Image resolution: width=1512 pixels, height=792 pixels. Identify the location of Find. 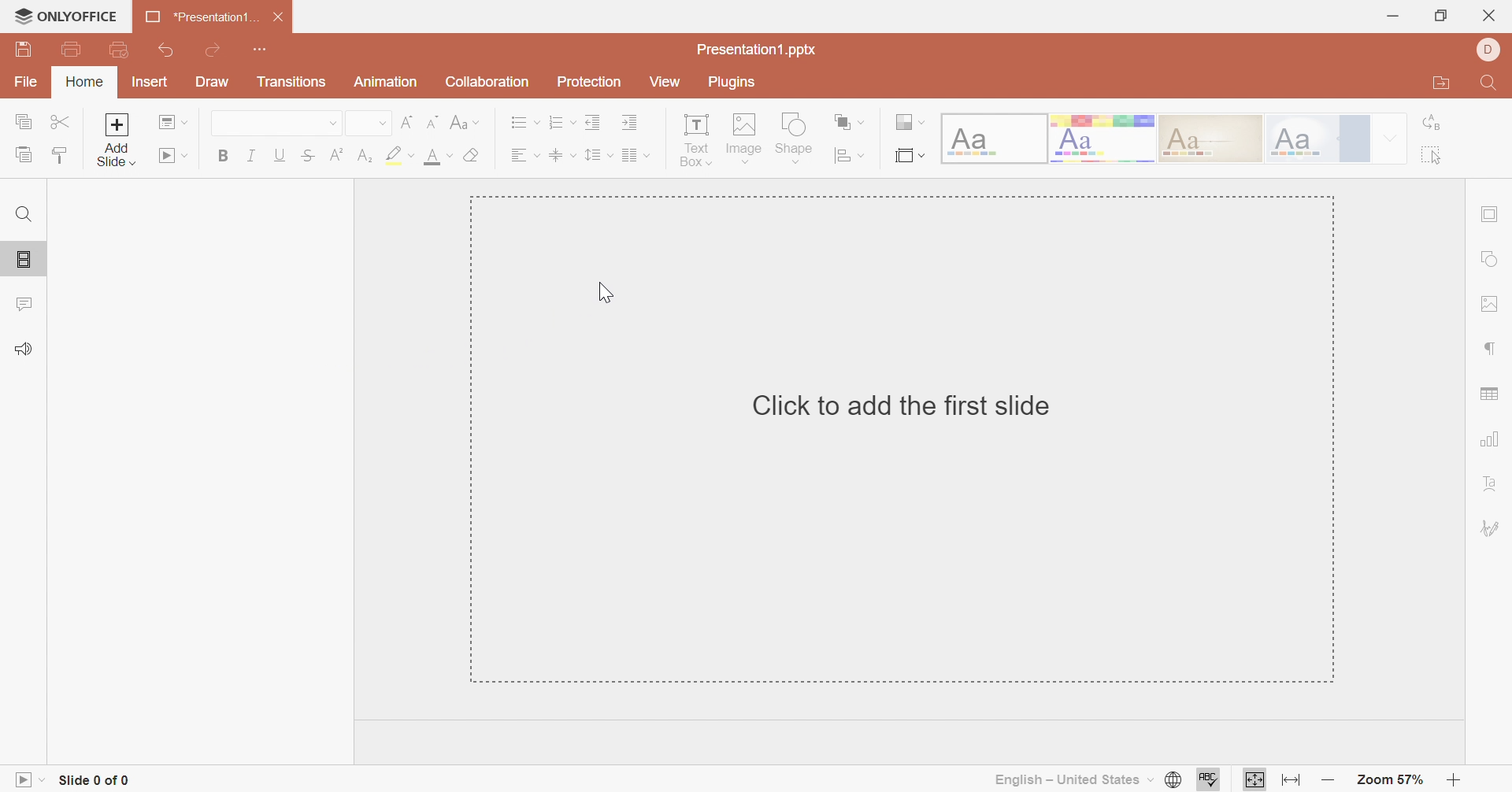
(1490, 83).